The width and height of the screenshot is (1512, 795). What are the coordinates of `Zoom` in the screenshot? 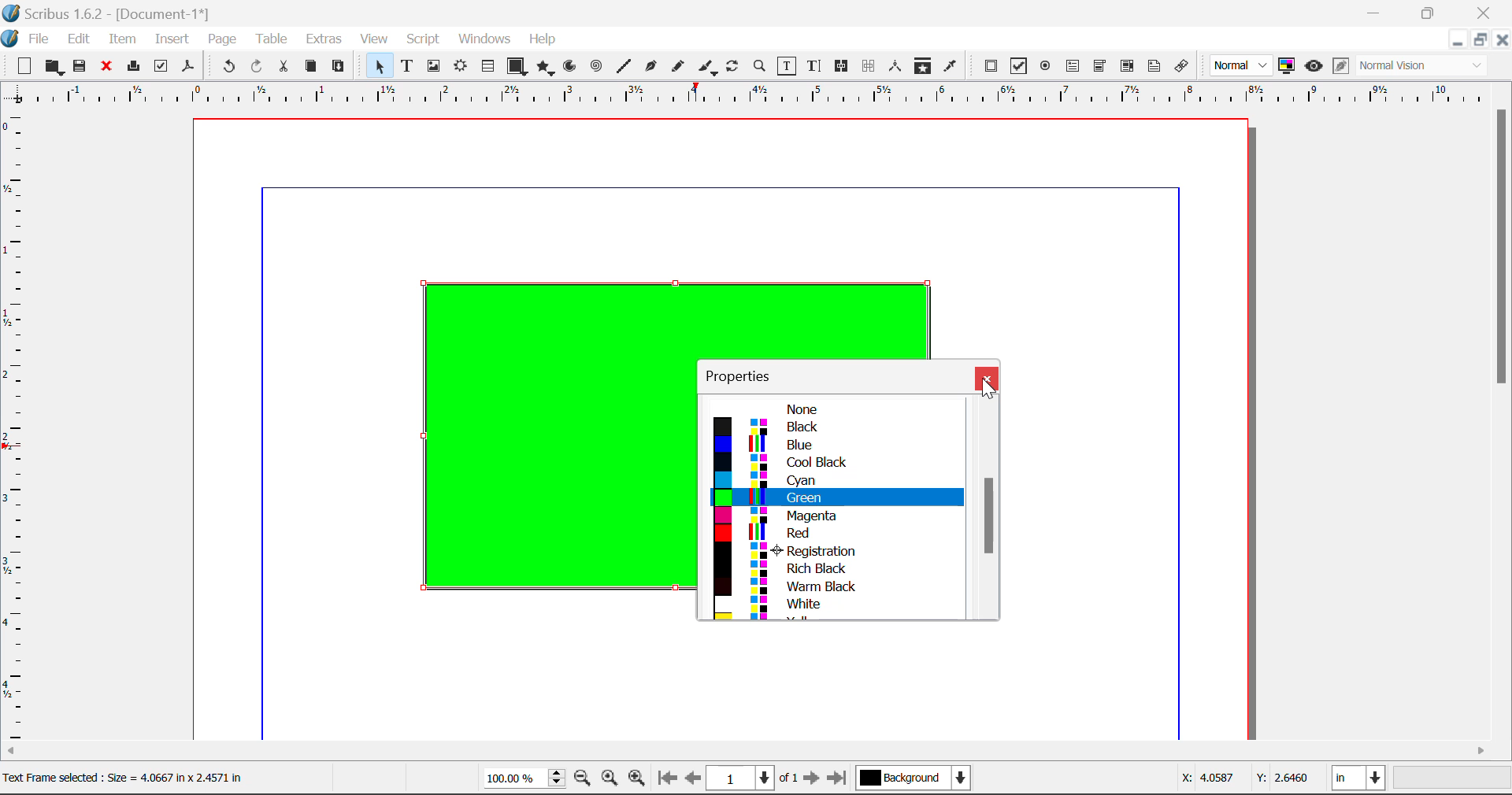 It's located at (761, 65).